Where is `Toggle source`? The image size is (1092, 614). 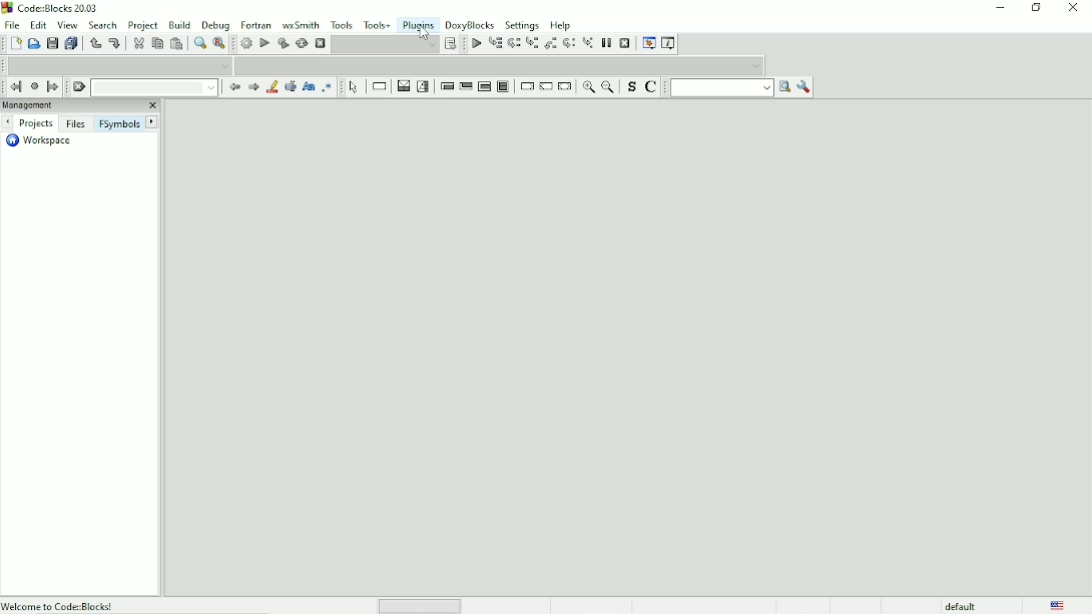 Toggle source is located at coordinates (630, 89).